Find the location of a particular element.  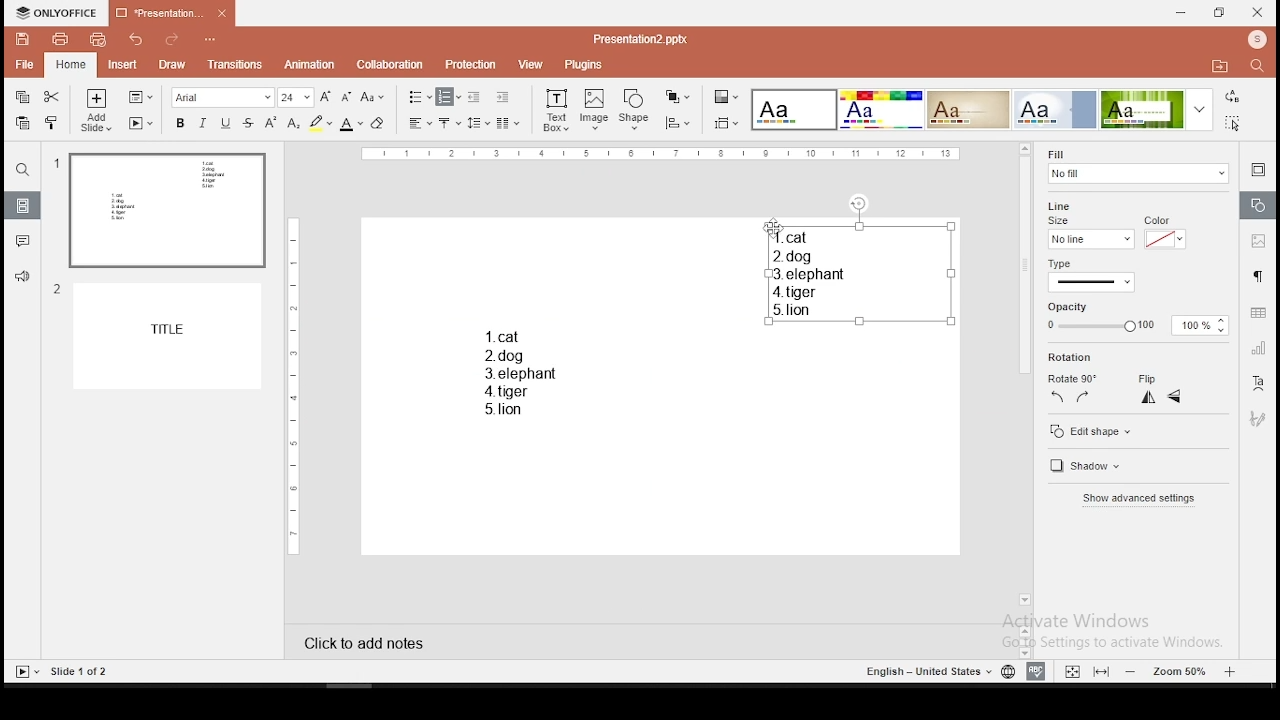

font color is located at coordinates (351, 123).